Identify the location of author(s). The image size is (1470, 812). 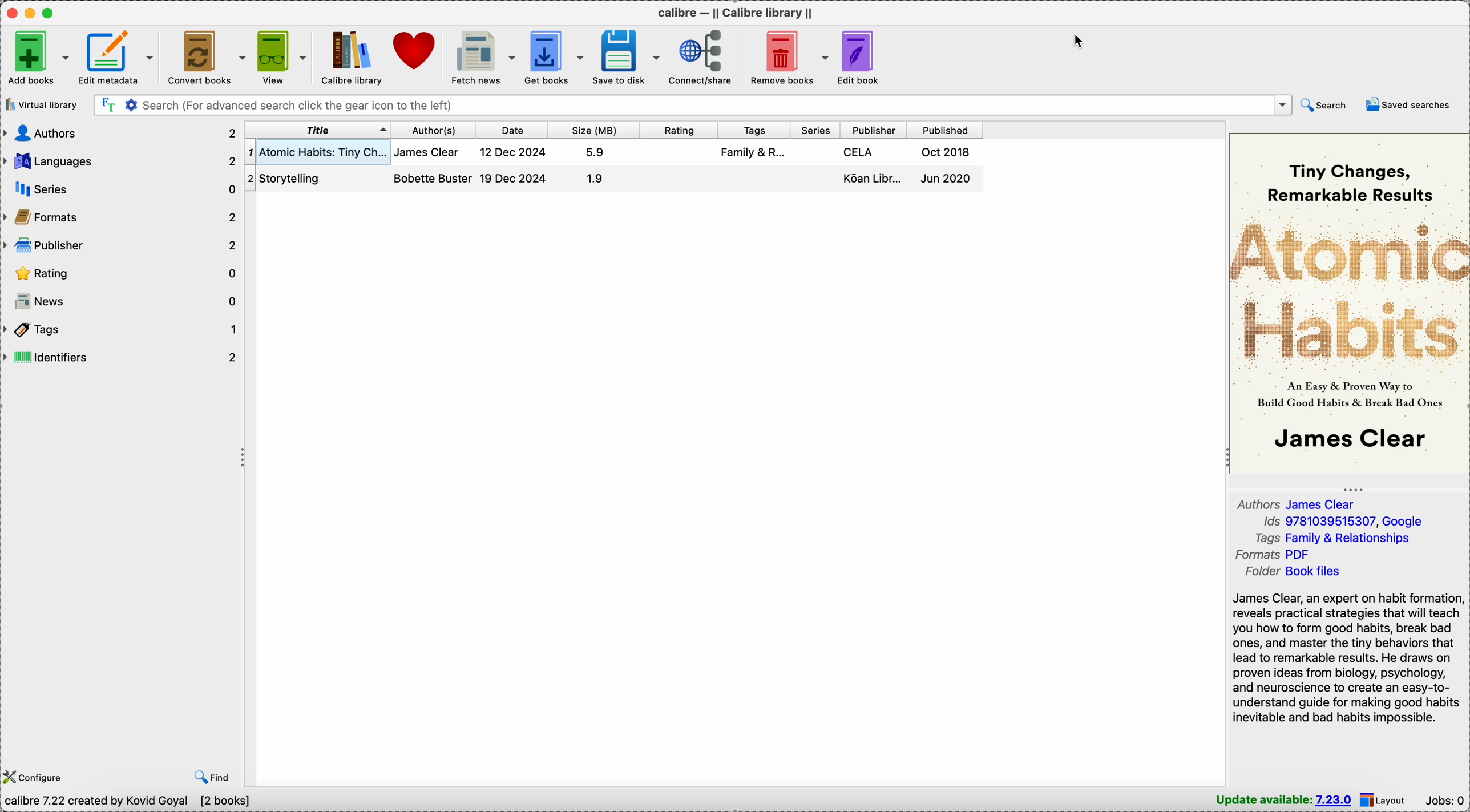
(431, 131).